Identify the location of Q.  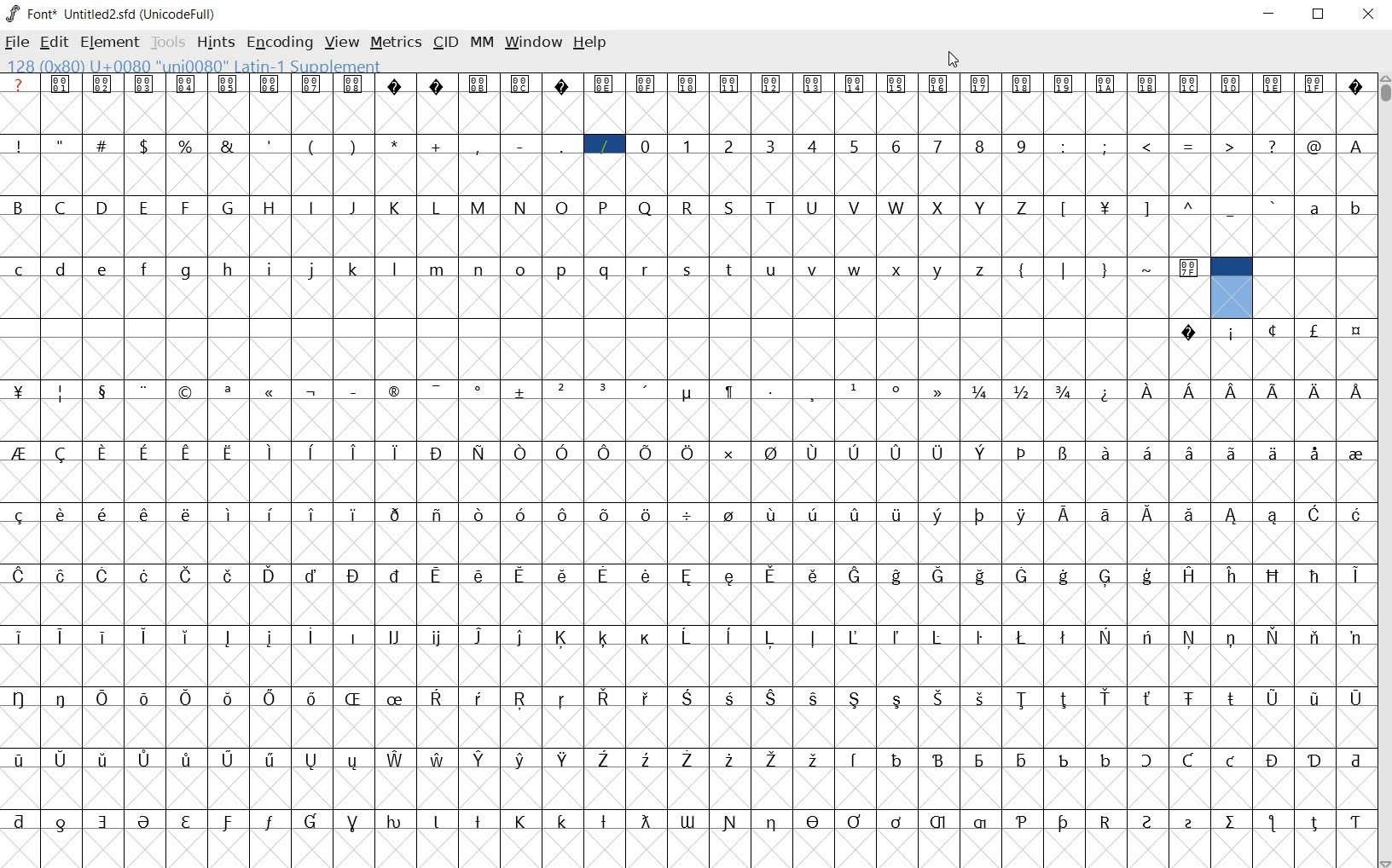
(647, 205).